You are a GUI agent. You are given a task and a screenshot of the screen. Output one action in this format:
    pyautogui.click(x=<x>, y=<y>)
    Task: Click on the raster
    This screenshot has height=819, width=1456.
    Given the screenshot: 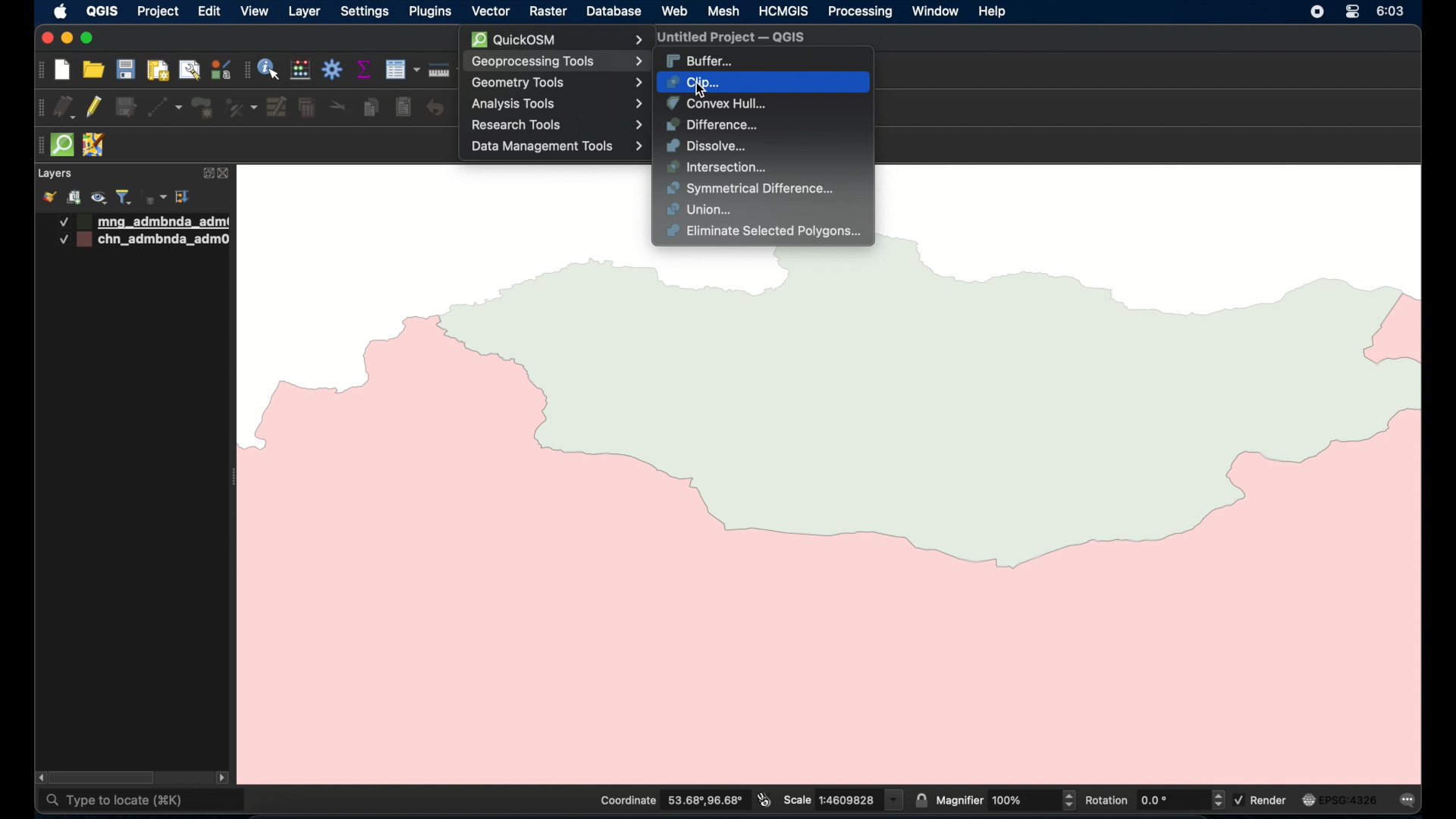 What is the action you would take?
    pyautogui.click(x=547, y=12)
    